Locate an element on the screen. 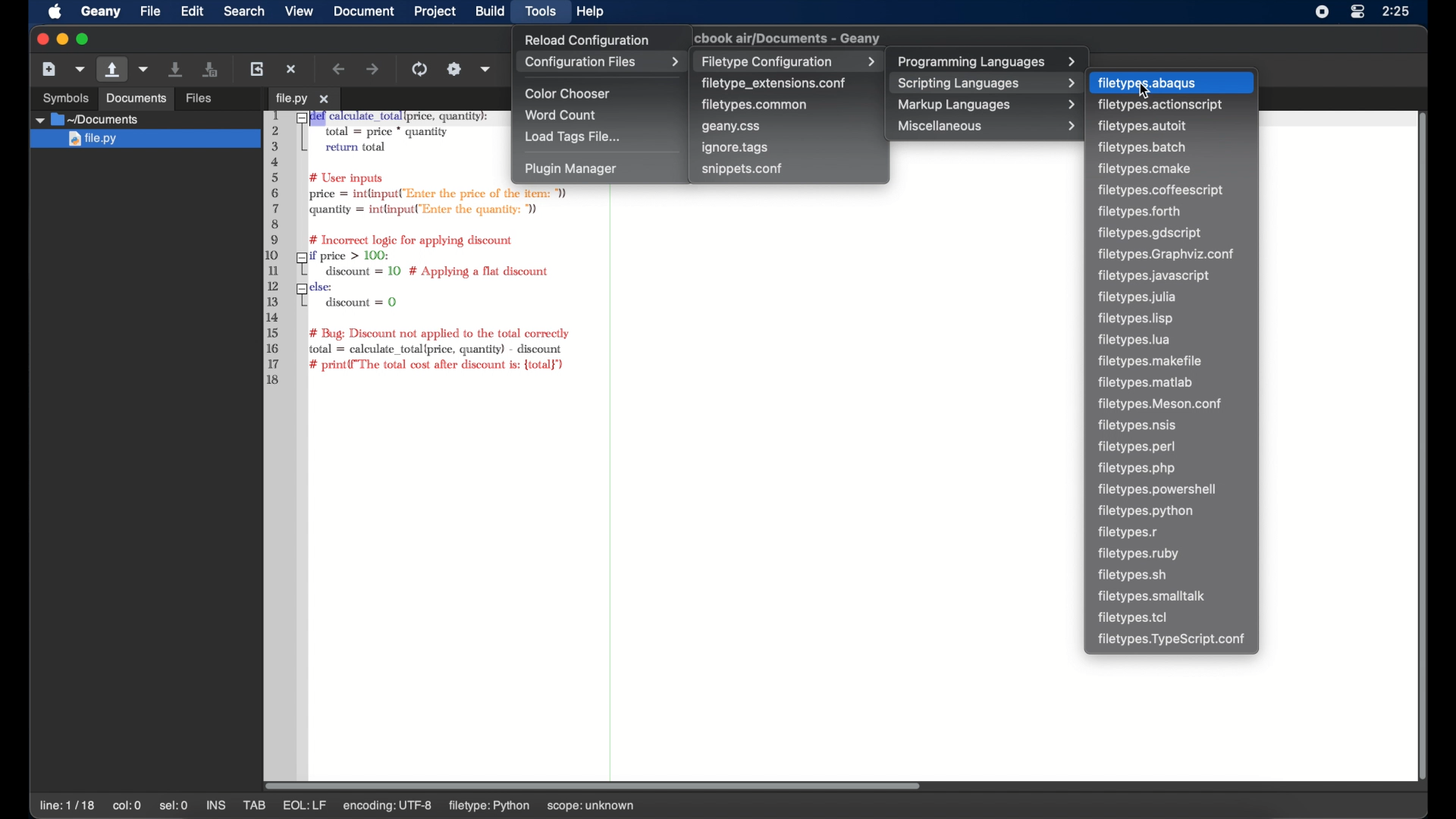  filetypes is located at coordinates (1168, 256).